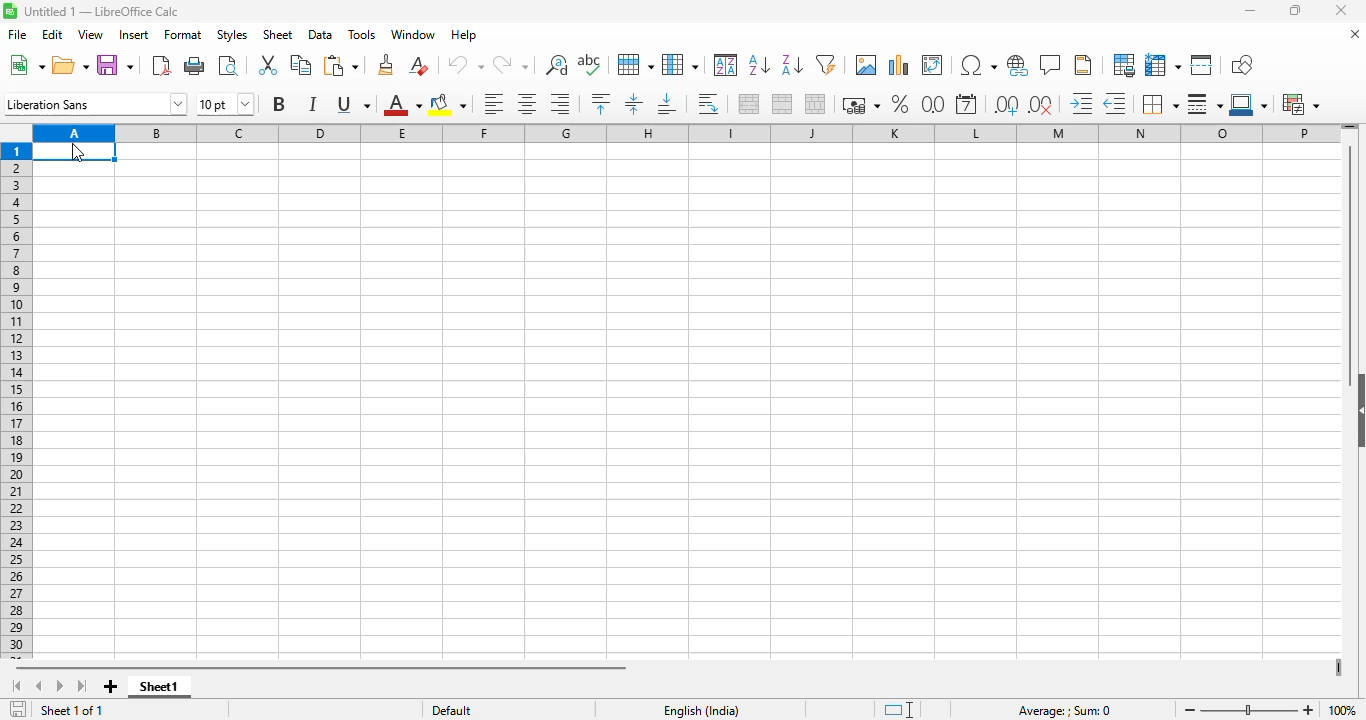  What do you see at coordinates (1296, 10) in the screenshot?
I see `maximize` at bounding box center [1296, 10].